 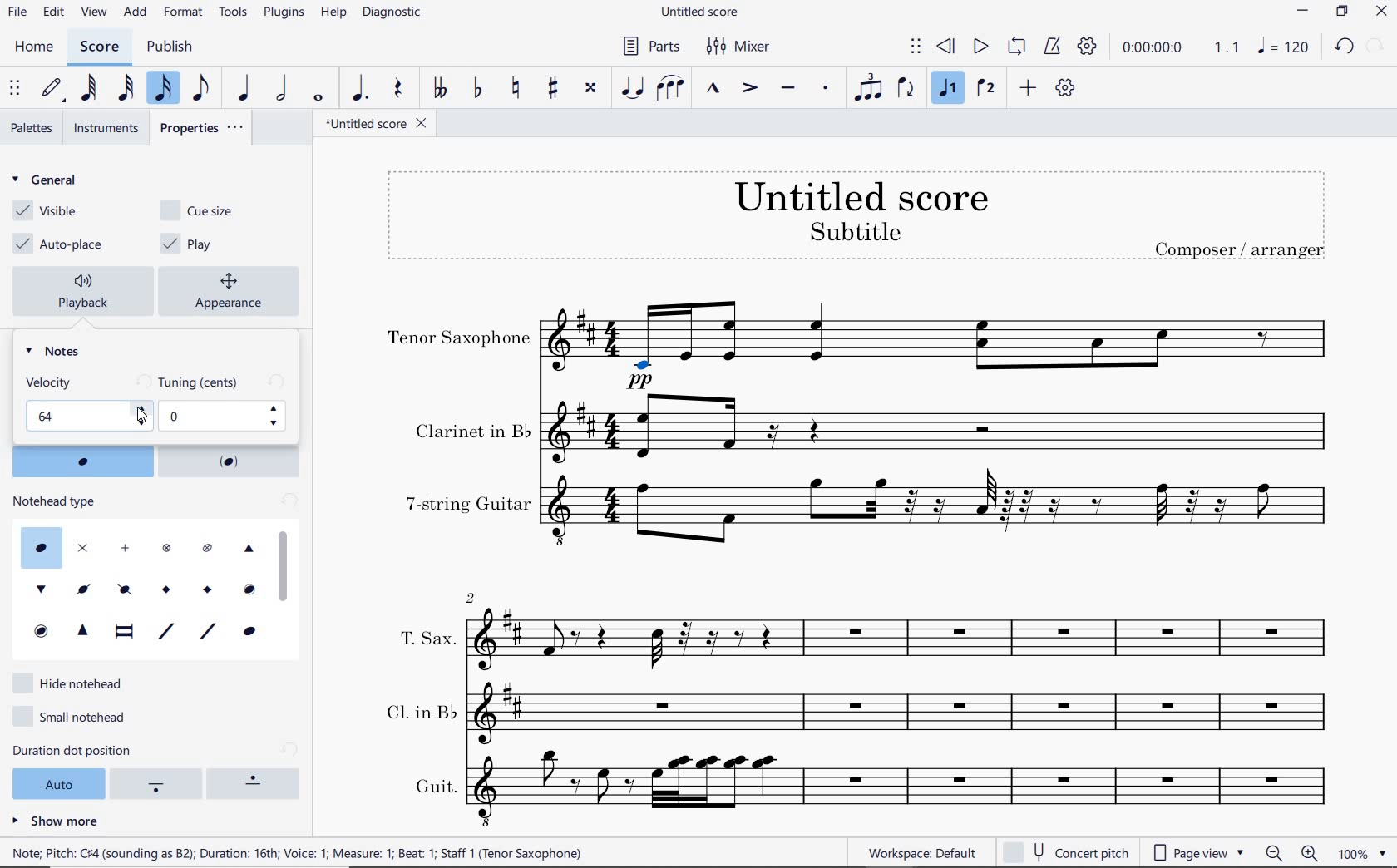 I want to click on file, so click(x=20, y=12).